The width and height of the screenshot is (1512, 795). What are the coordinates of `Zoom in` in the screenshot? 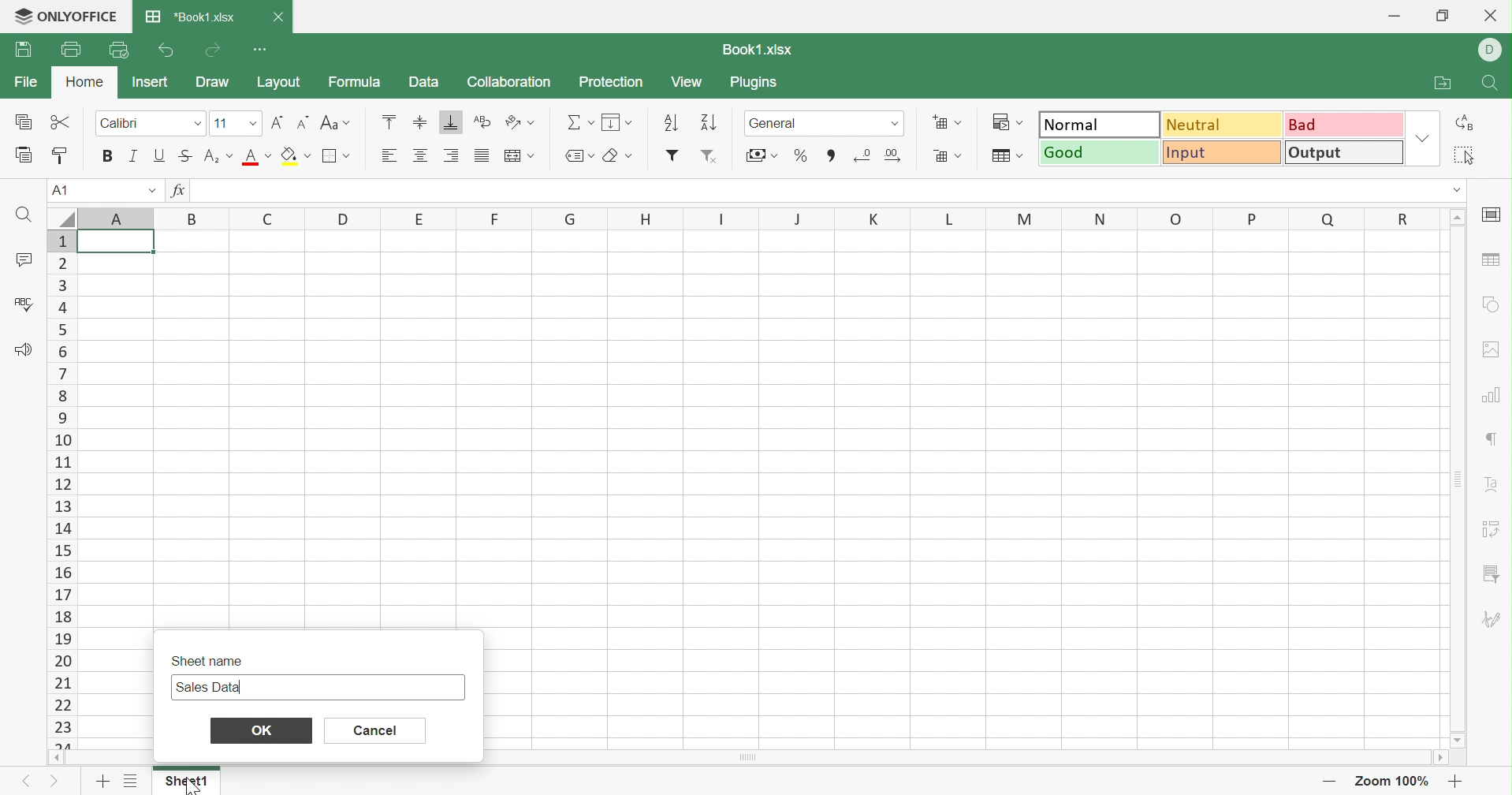 It's located at (1458, 780).